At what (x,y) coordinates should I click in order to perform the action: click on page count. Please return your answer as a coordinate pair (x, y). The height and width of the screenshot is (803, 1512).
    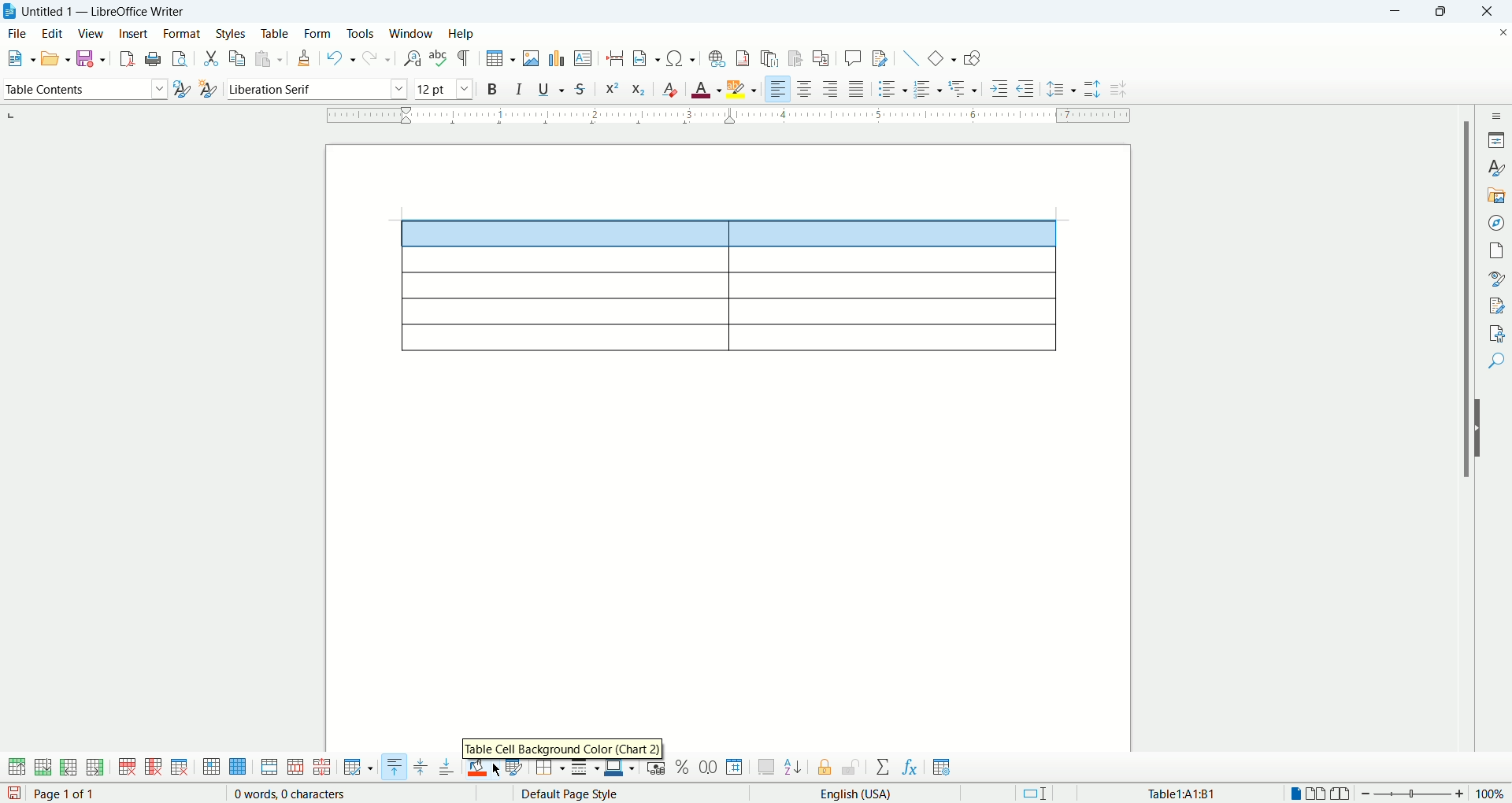
    Looking at the image, I should click on (69, 794).